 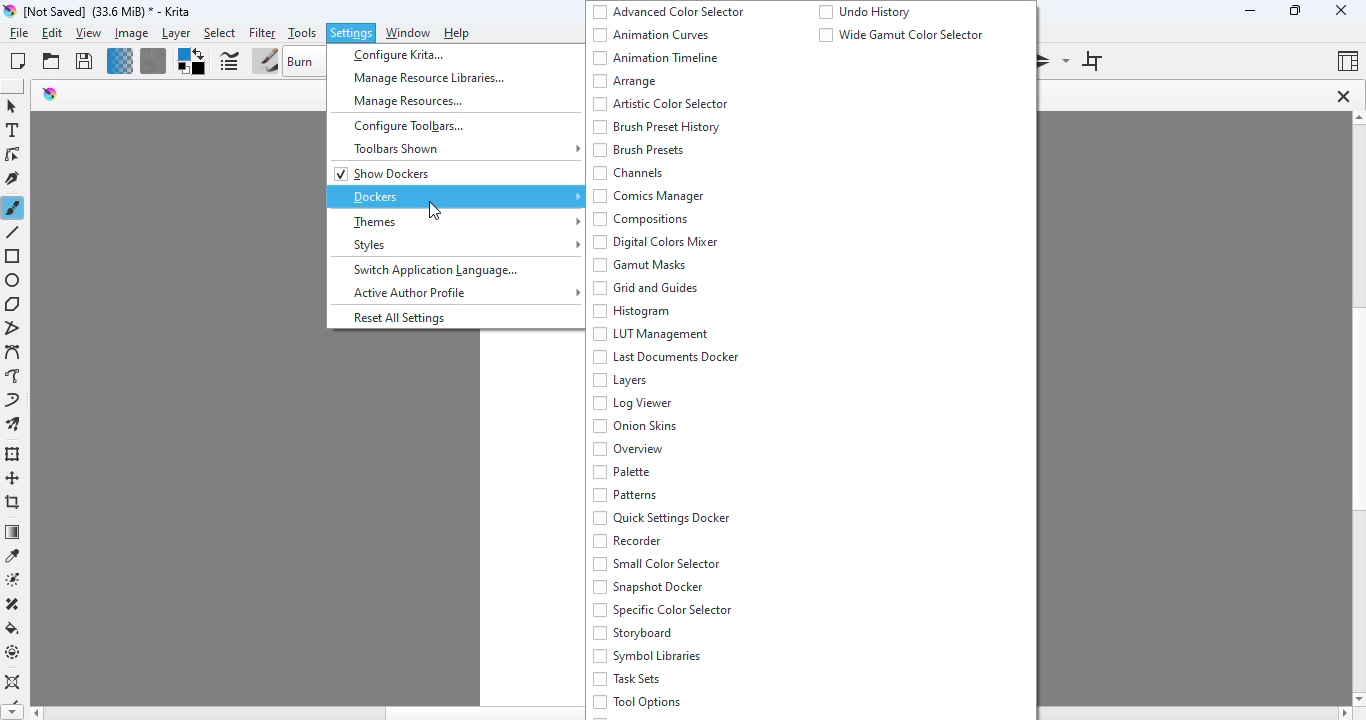 What do you see at coordinates (1357, 118) in the screenshot?
I see `scroll up` at bounding box center [1357, 118].